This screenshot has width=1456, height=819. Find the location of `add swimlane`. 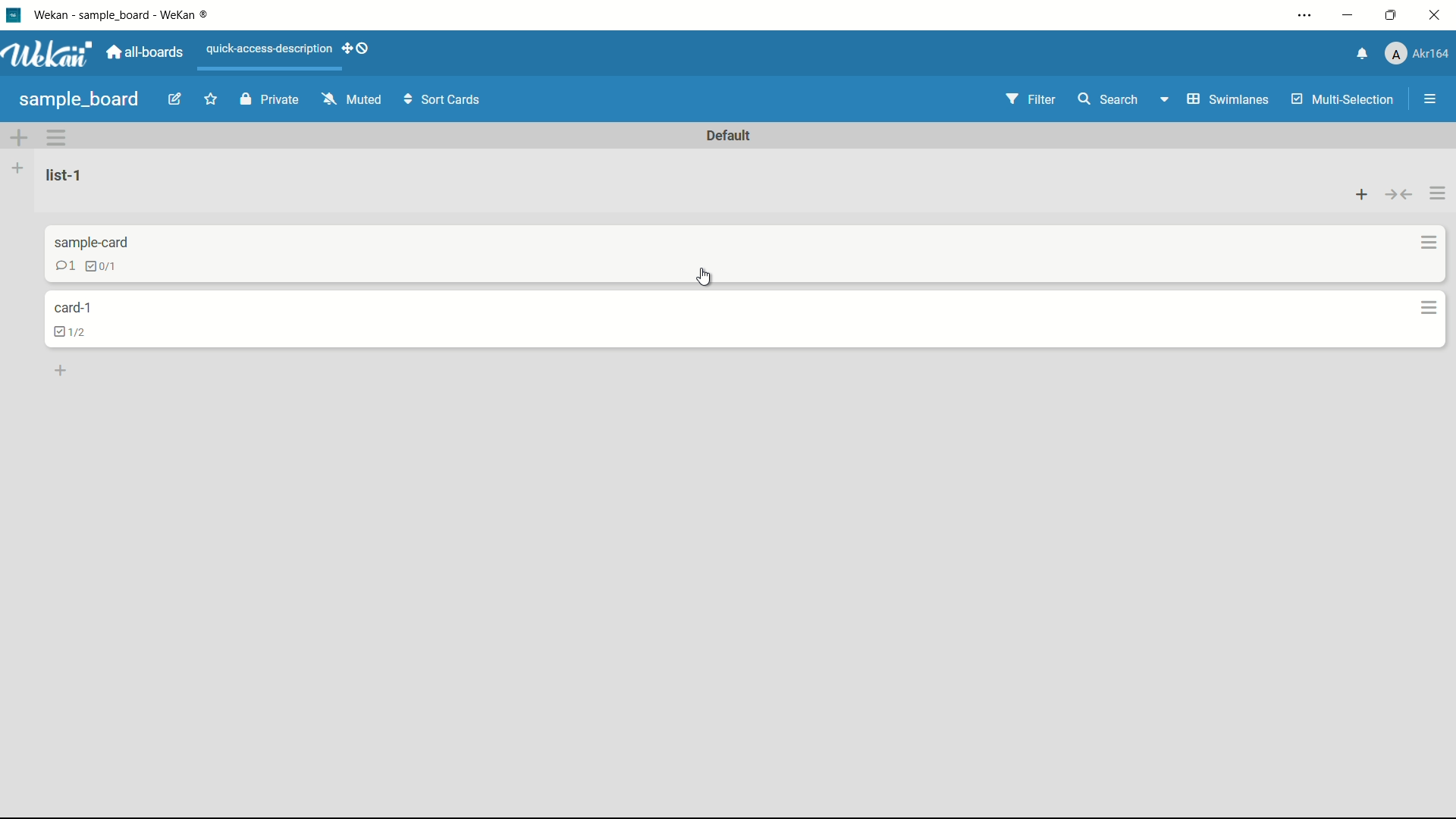

add swimlane is located at coordinates (19, 136).